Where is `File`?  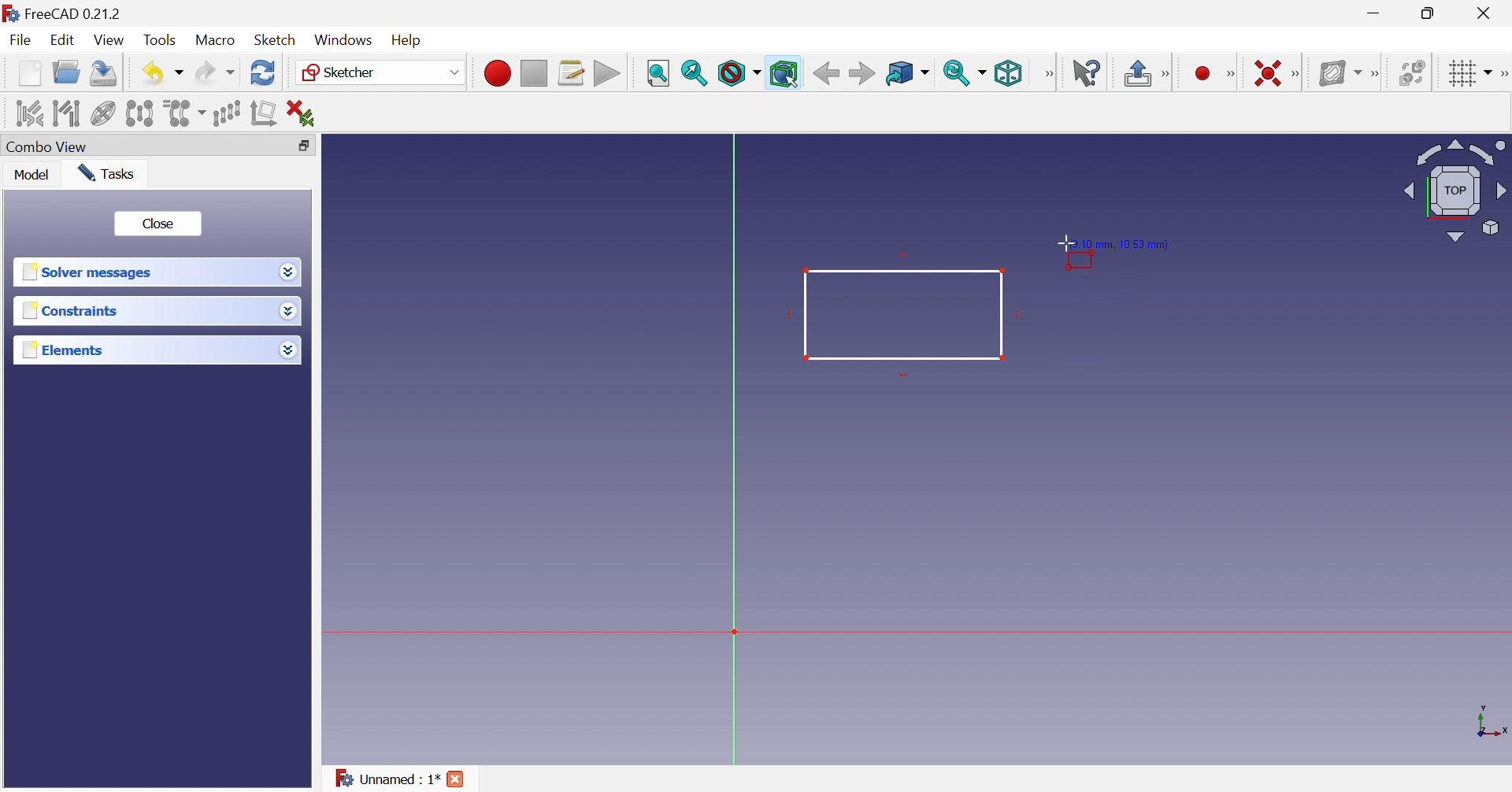 File is located at coordinates (22, 41).